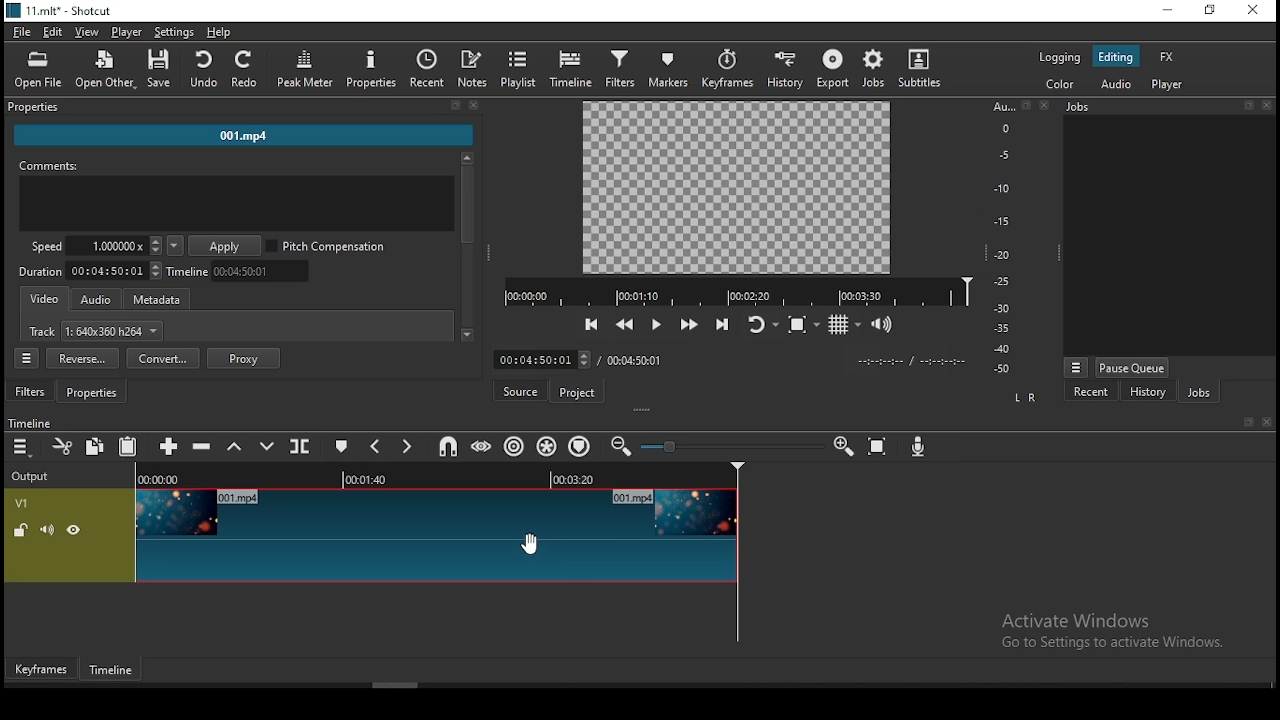 This screenshot has height=720, width=1280. I want to click on track, so click(95, 331).